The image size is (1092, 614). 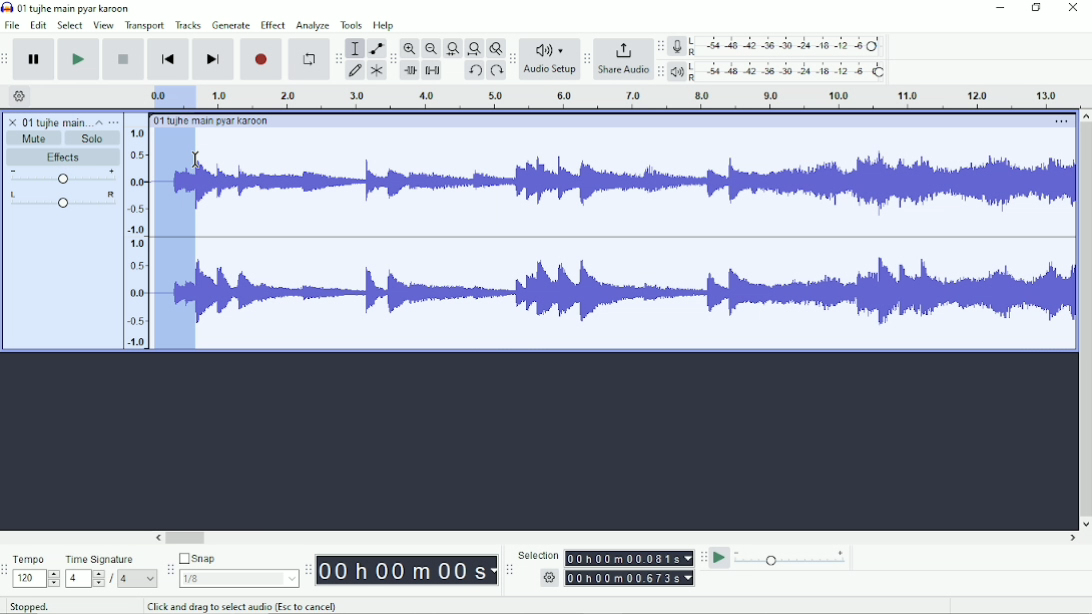 What do you see at coordinates (512, 59) in the screenshot?
I see `Audacity audio setup toolbar` at bounding box center [512, 59].